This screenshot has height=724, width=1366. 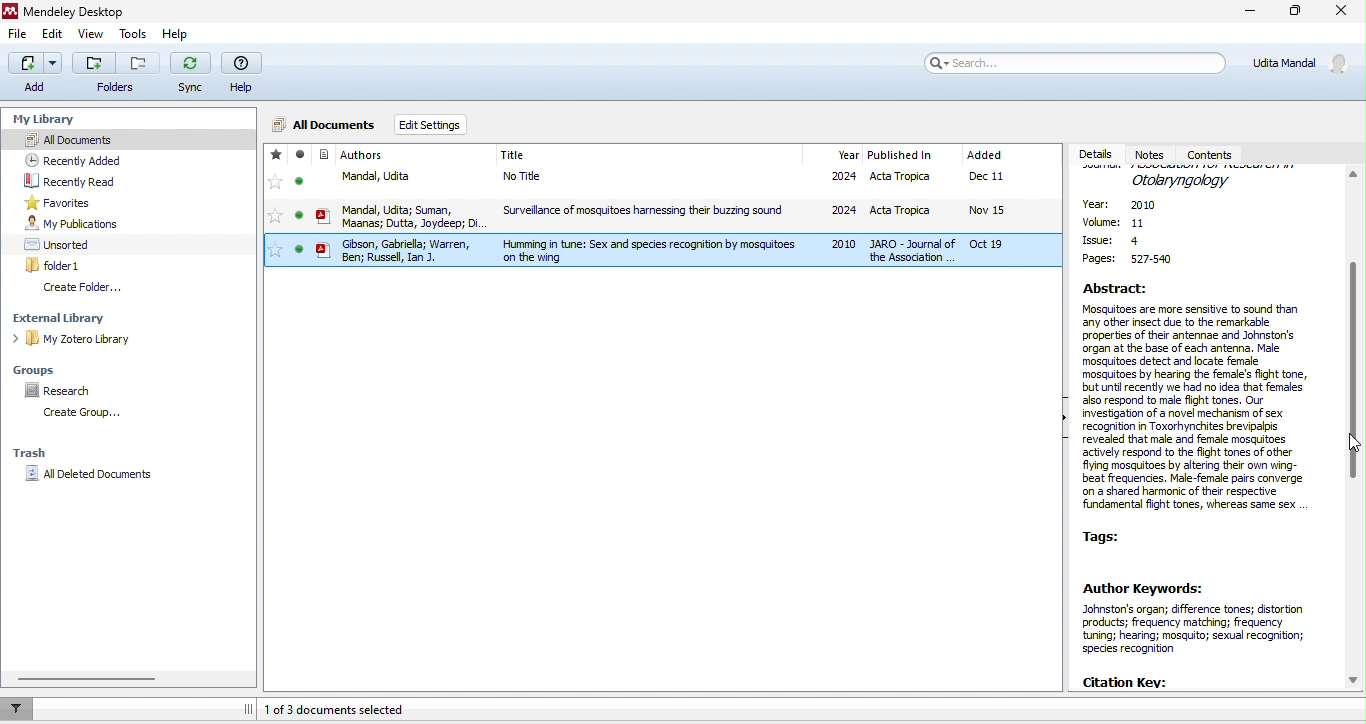 I want to click on edit settings, so click(x=430, y=125).